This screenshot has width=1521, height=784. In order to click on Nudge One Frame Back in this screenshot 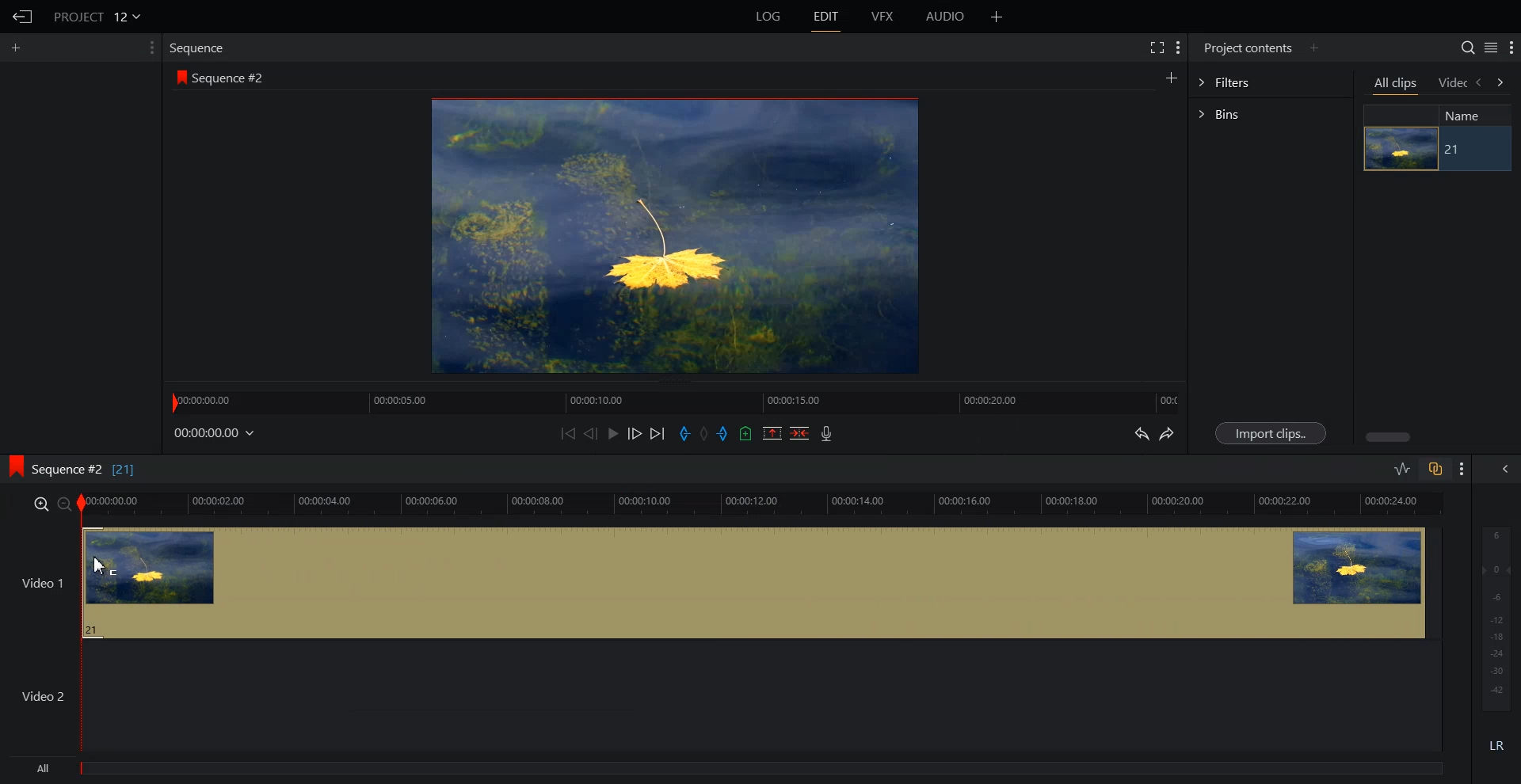, I will do `click(592, 433)`.